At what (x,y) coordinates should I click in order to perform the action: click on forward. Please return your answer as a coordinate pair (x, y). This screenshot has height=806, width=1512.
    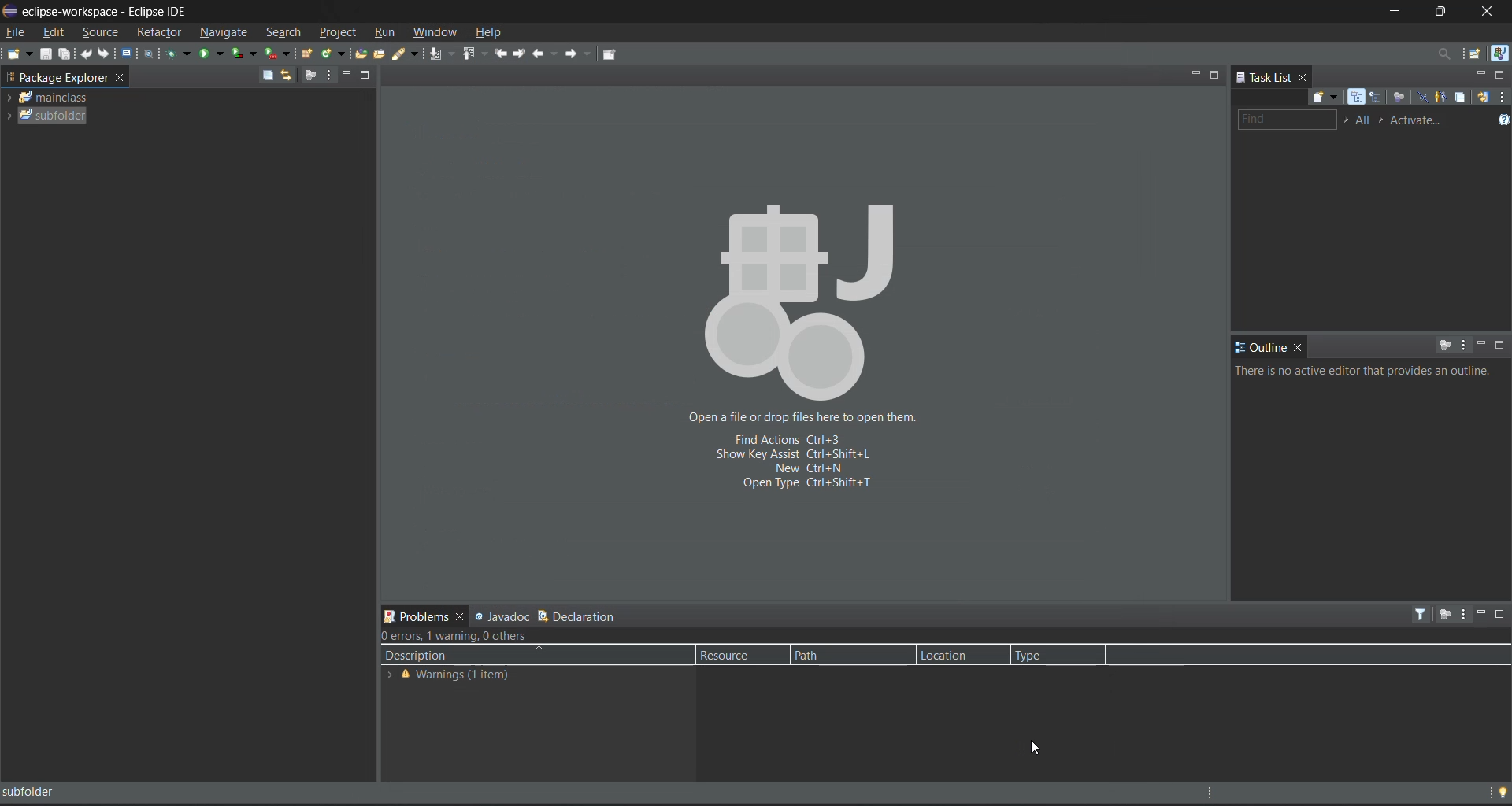
    Looking at the image, I should click on (582, 56).